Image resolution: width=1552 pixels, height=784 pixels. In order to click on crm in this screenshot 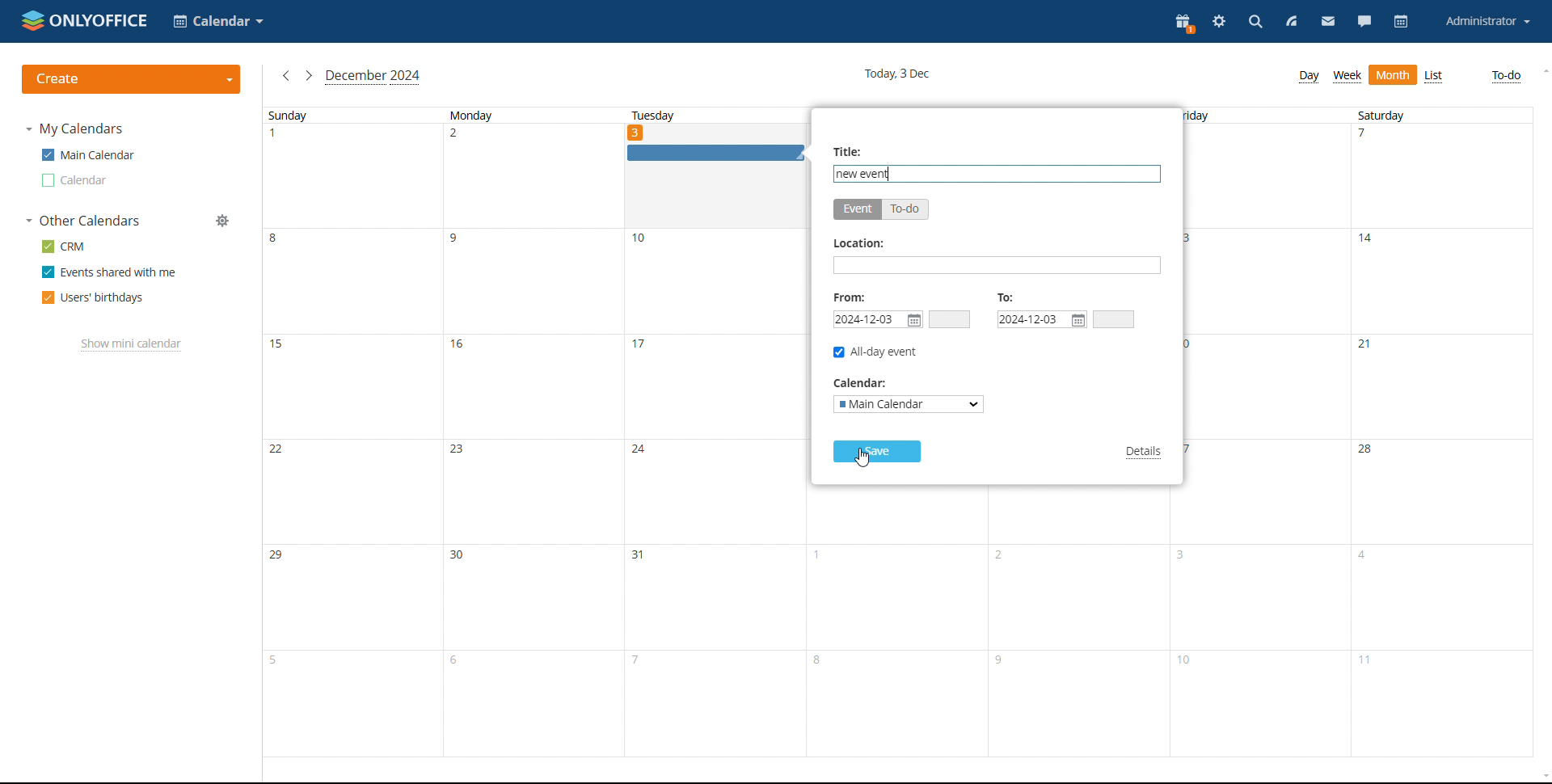, I will do `click(63, 246)`.